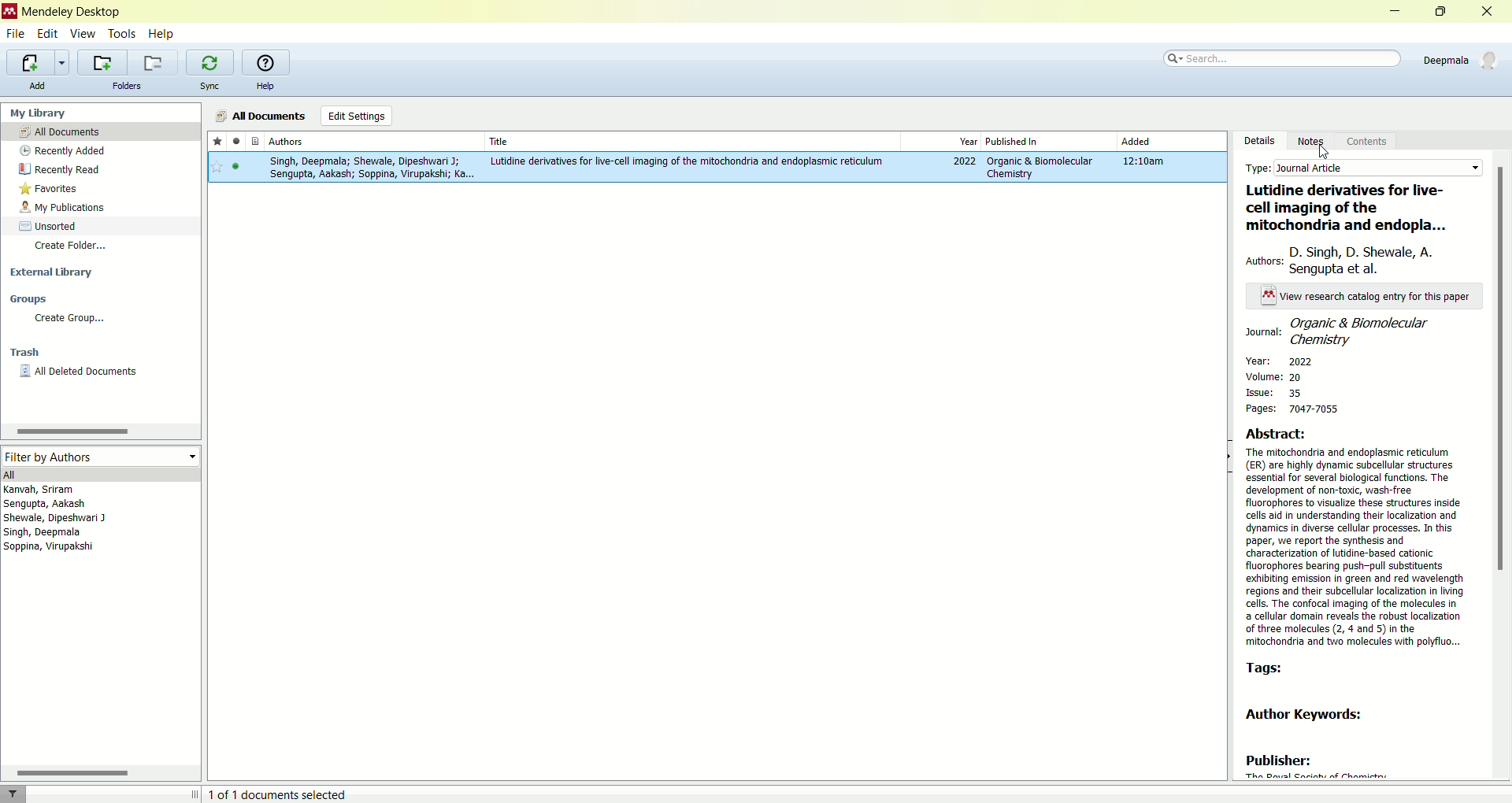  What do you see at coordinates (51, 534) in the screenshot?
I see `Singh, Deepmala` at bounding box center [51, 534].